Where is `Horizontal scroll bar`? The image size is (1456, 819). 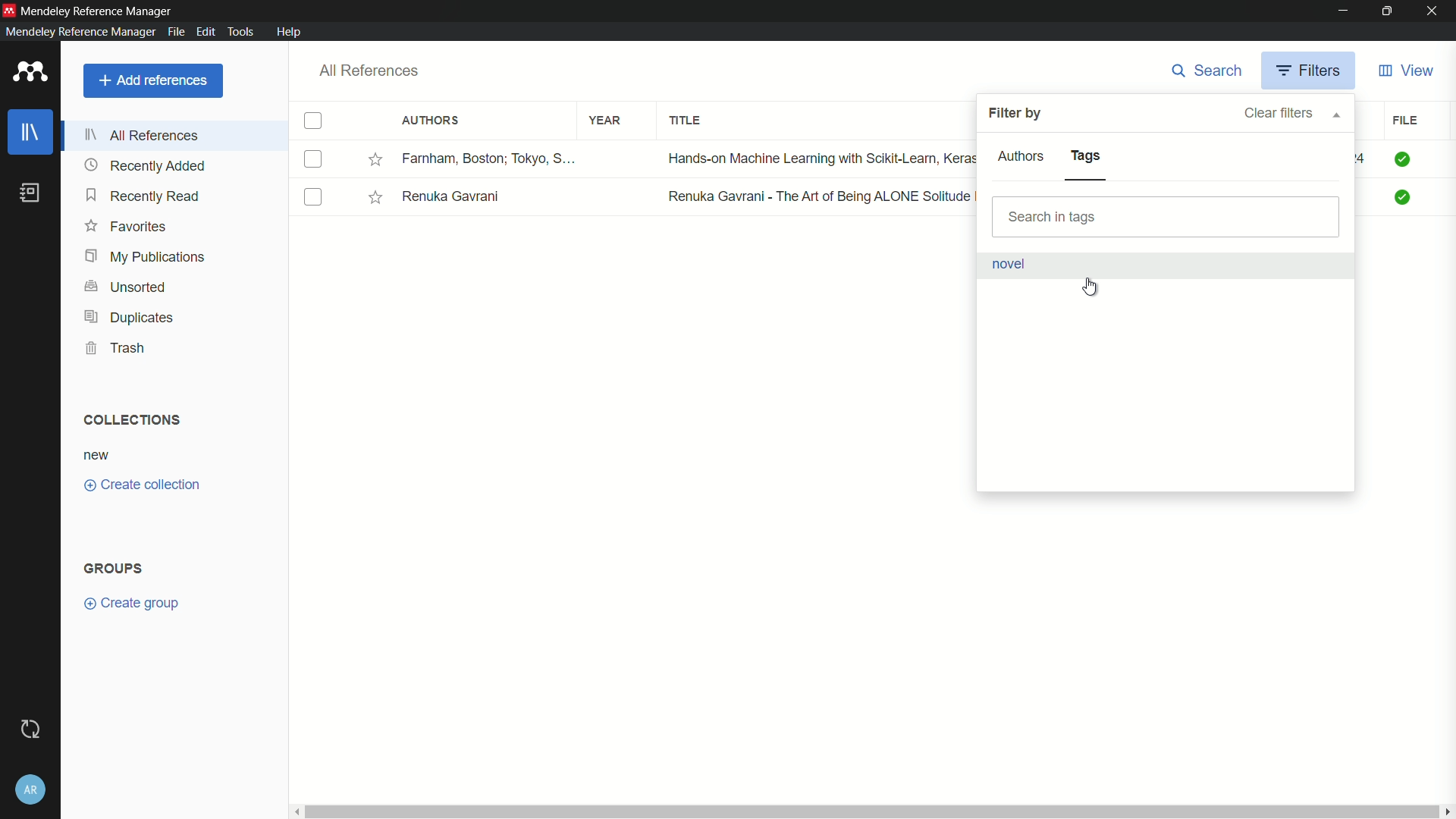 Horizontal scroll bar is located at coordinates (869, 810).